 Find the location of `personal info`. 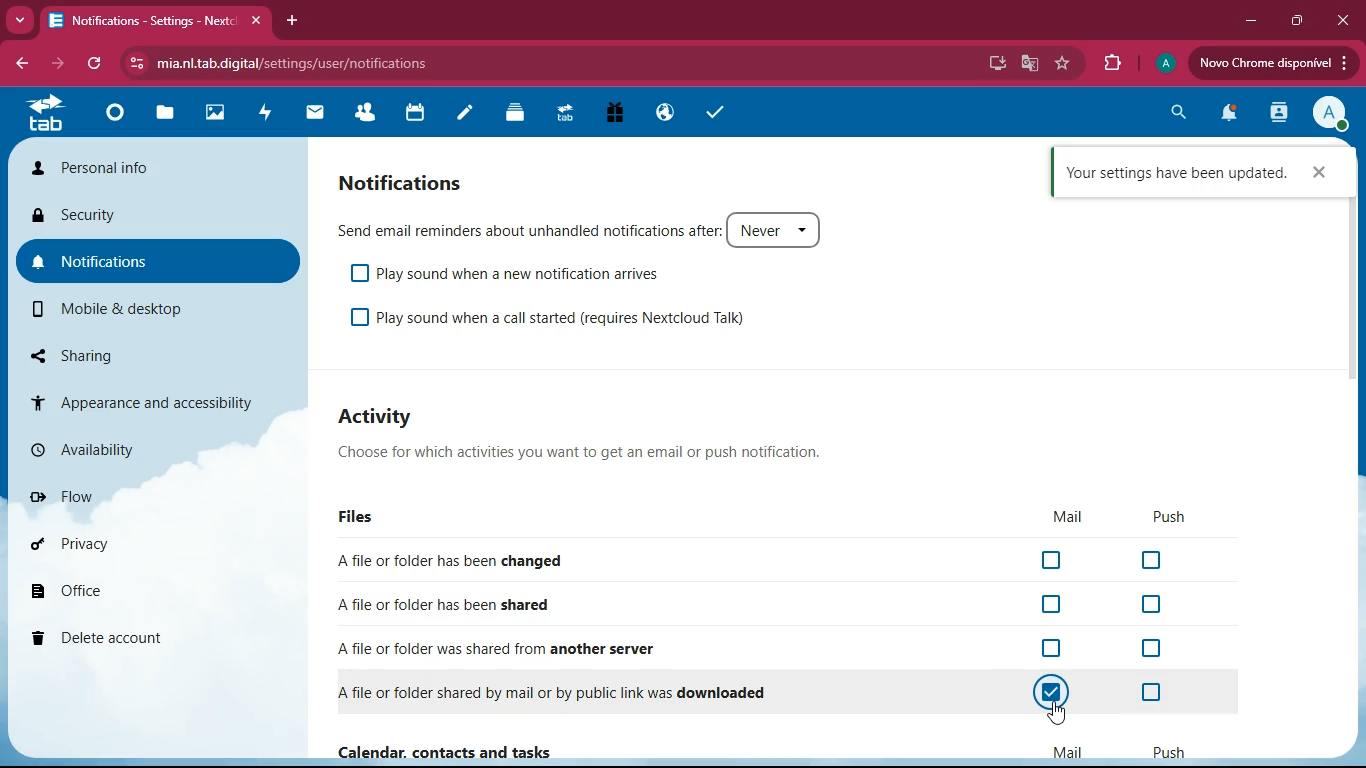

personal info is located at coordinates (156, 167).